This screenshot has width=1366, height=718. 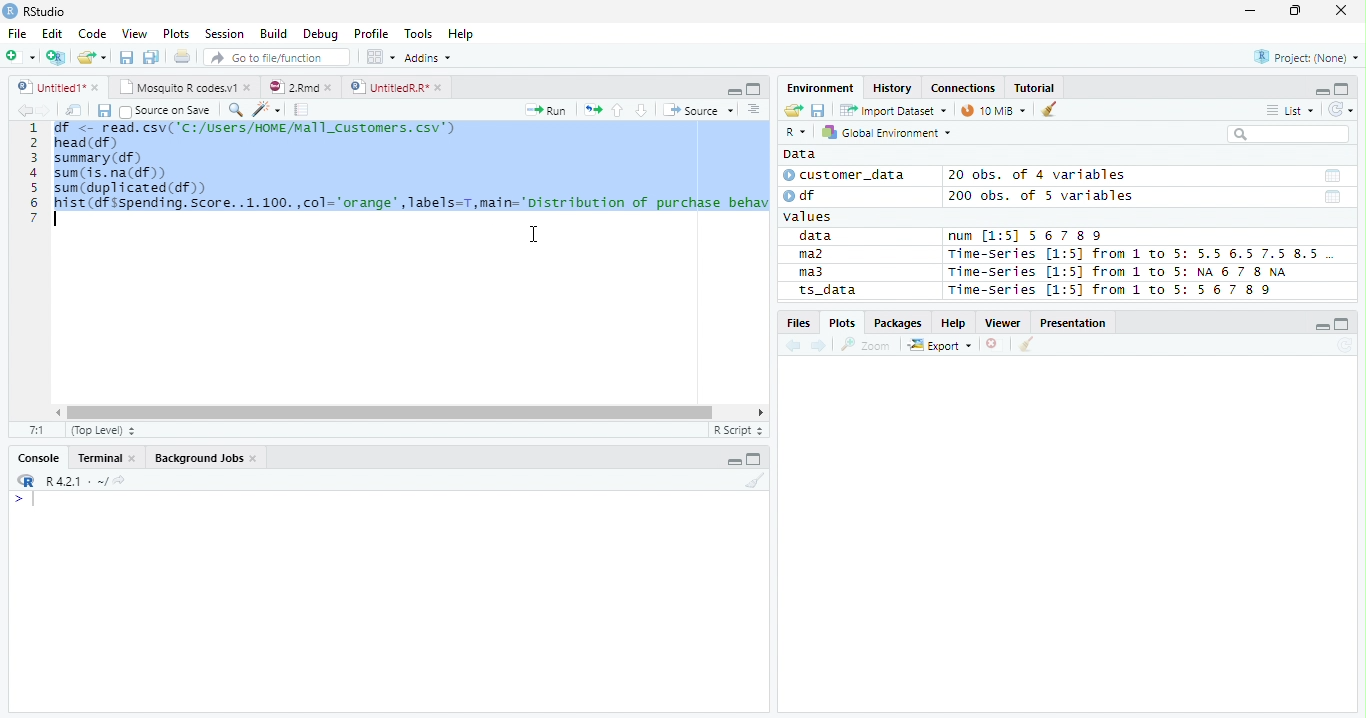 What do you see at coordinates (1340, 11) in the screenshot?
I see `Close` at bounding box center [1340, 11].